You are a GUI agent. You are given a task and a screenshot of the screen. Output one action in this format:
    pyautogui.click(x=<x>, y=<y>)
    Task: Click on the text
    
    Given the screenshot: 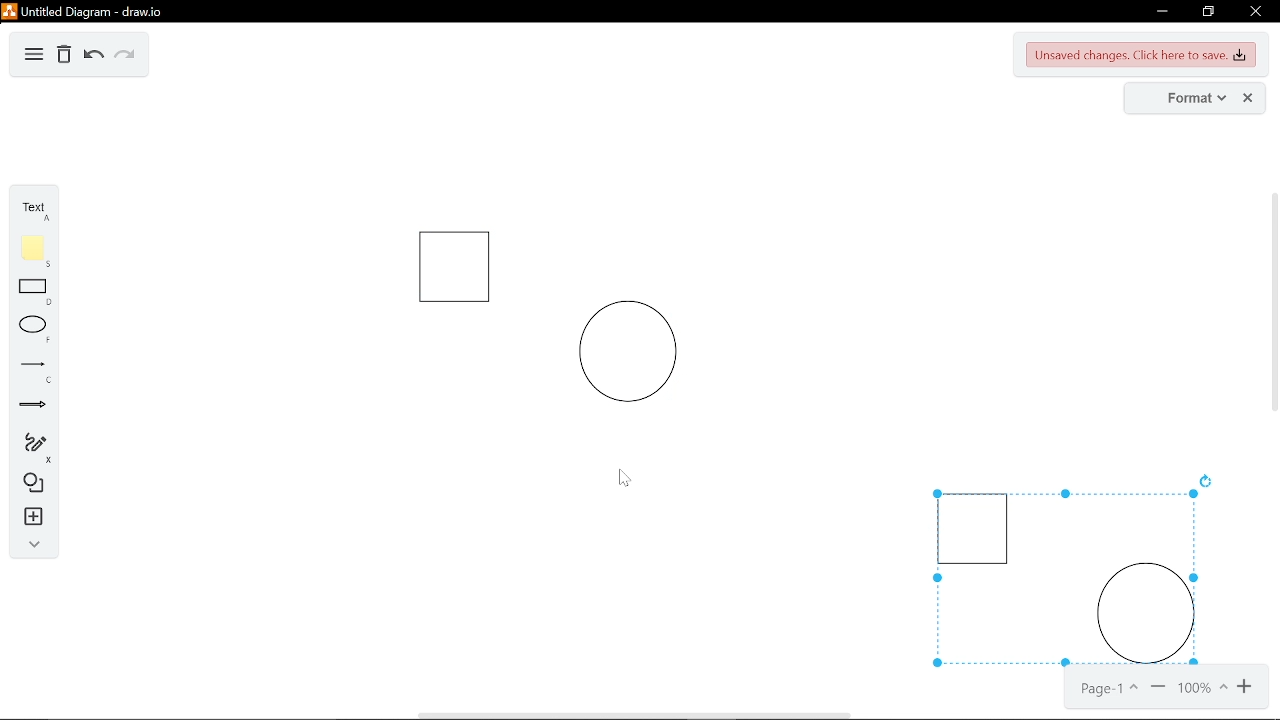 What is the action you would take?
    pyautogui.click(x=32, y=209)
    